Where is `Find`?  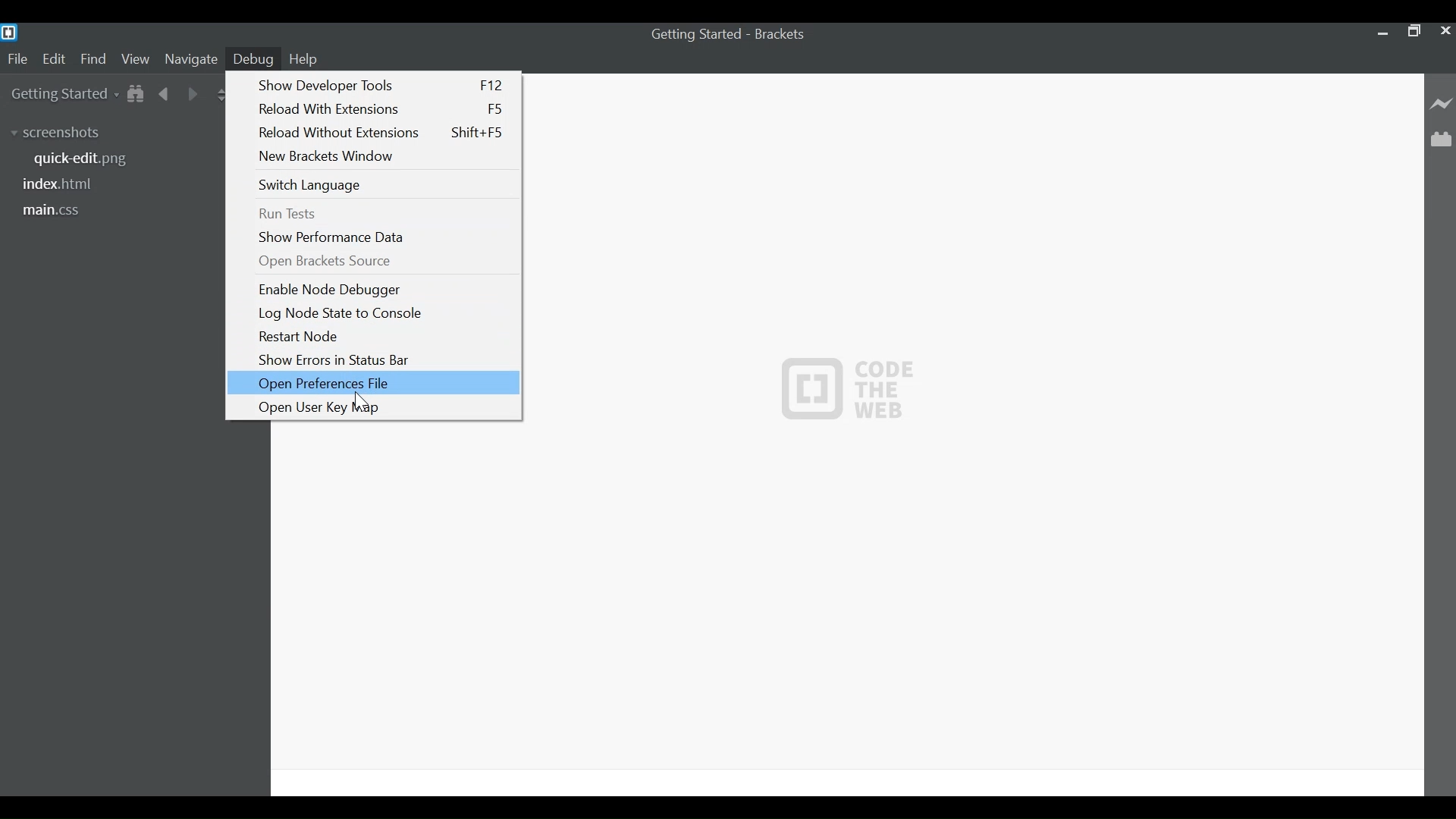 Find is located at coordinates (93, 58).